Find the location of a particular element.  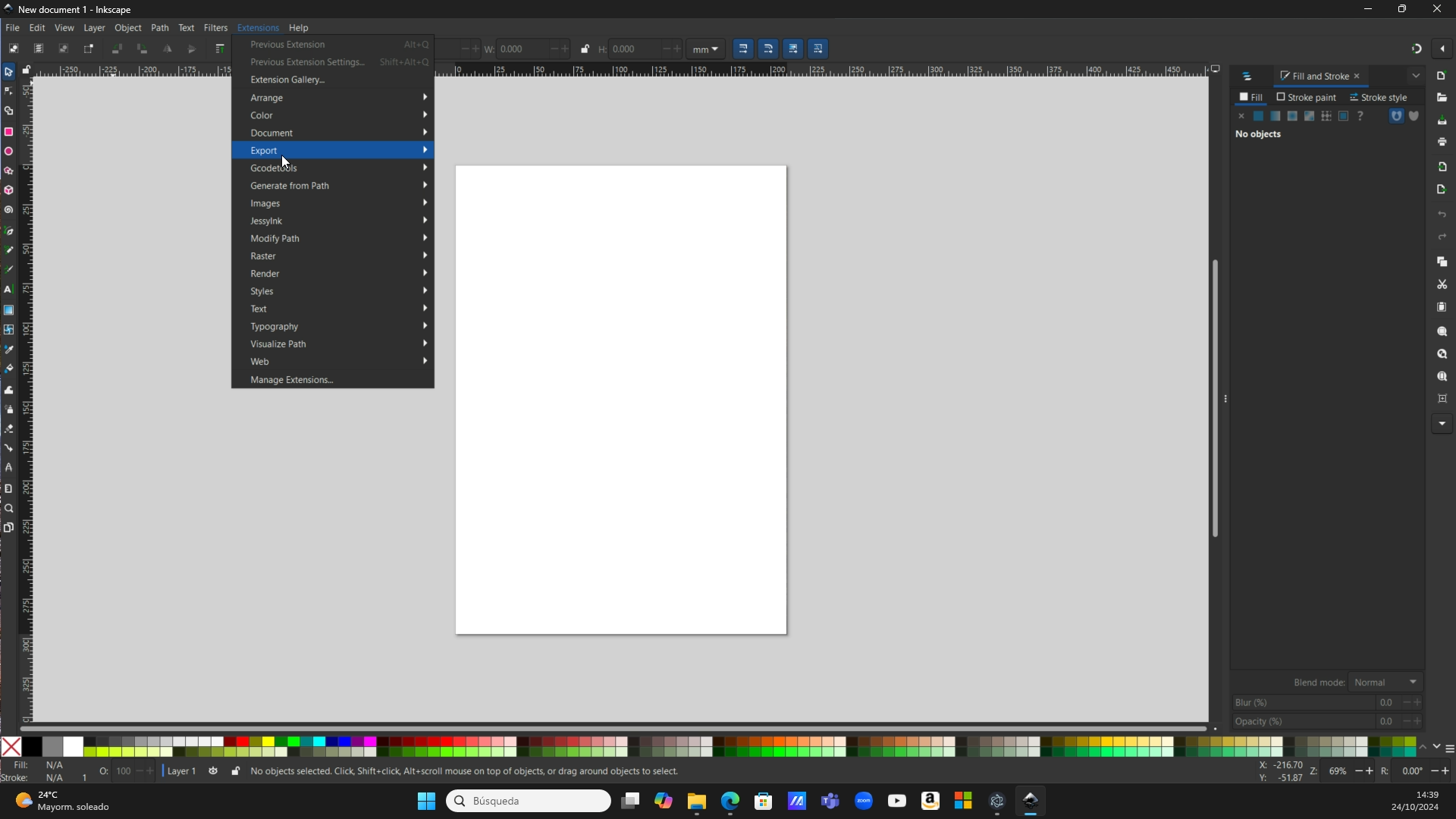

Web is located at coordinates (340, 362).